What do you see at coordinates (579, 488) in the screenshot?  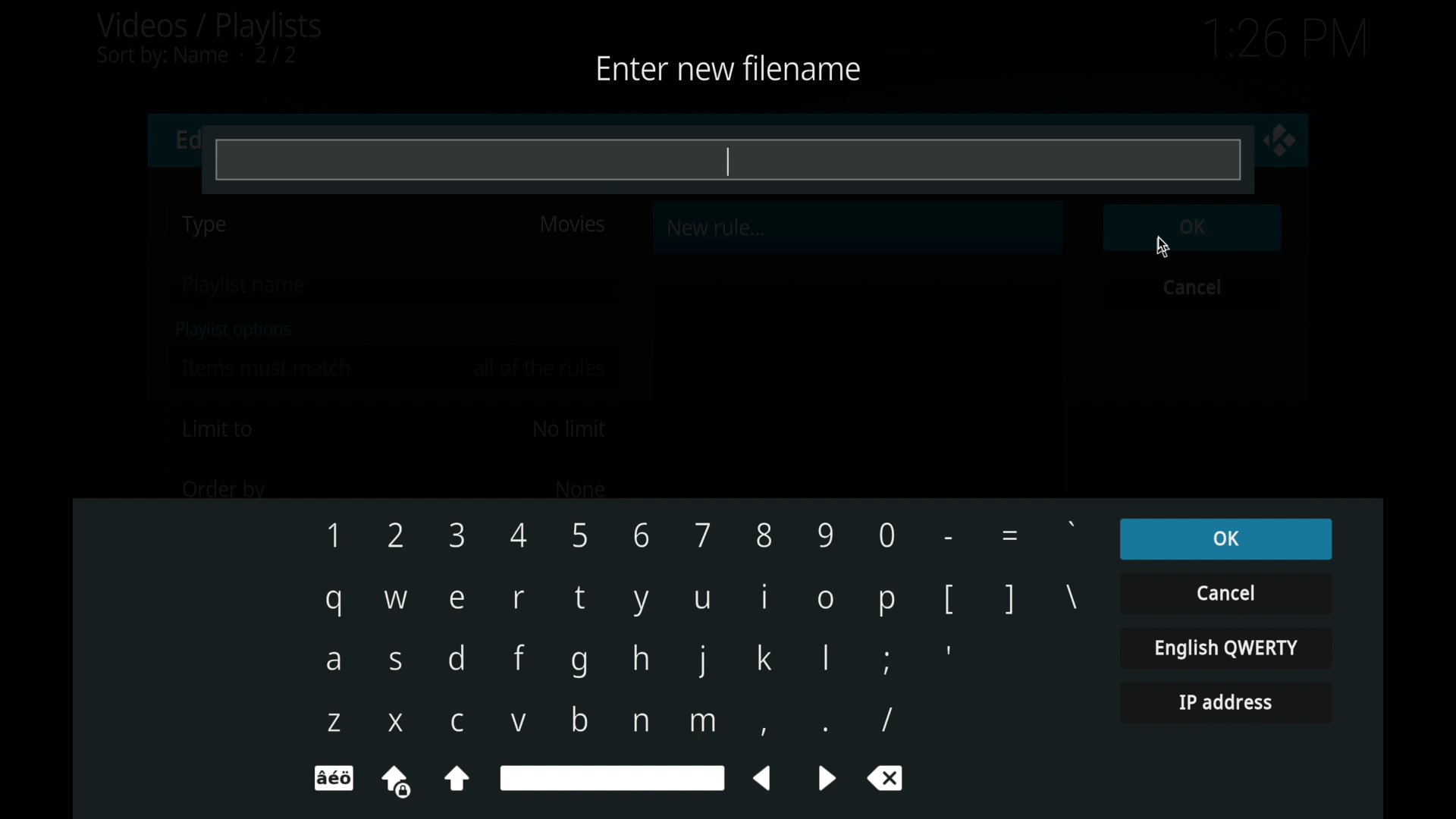 I see `none` at bounding box center [579, 488].